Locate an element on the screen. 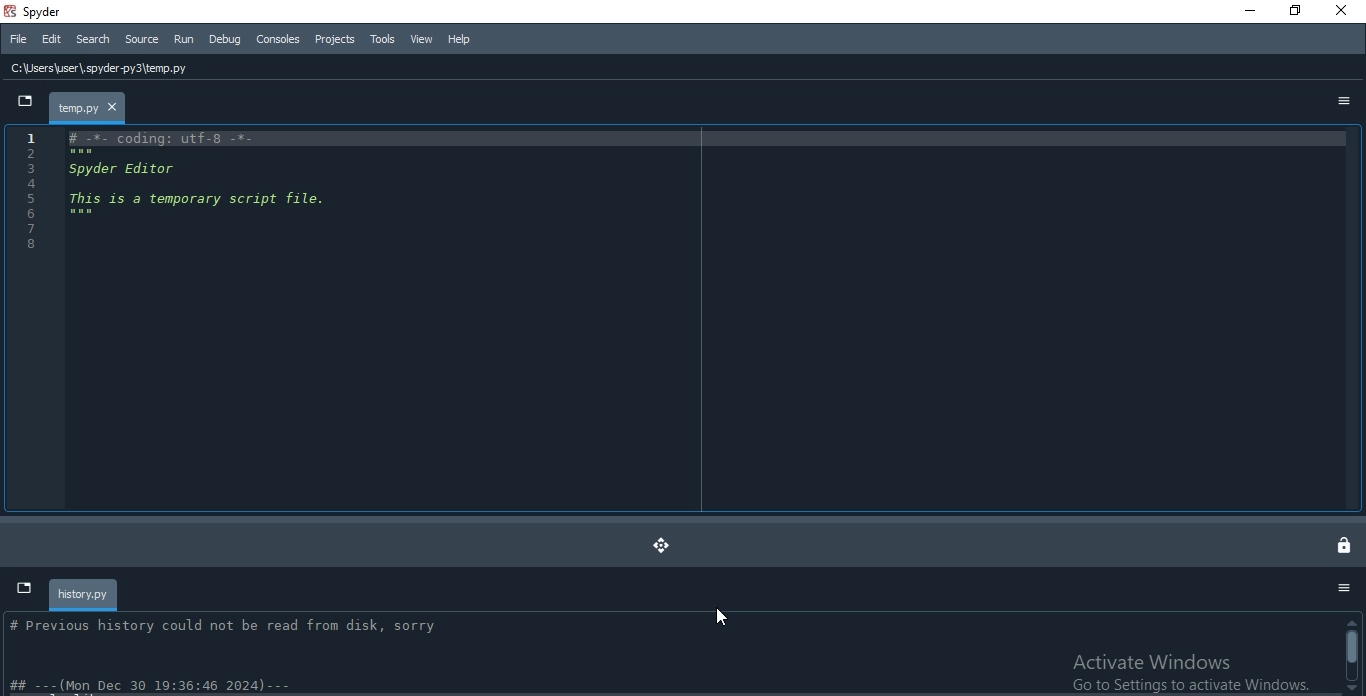 The image size is (1366, 696). Run is located at coordinates (184, 38).